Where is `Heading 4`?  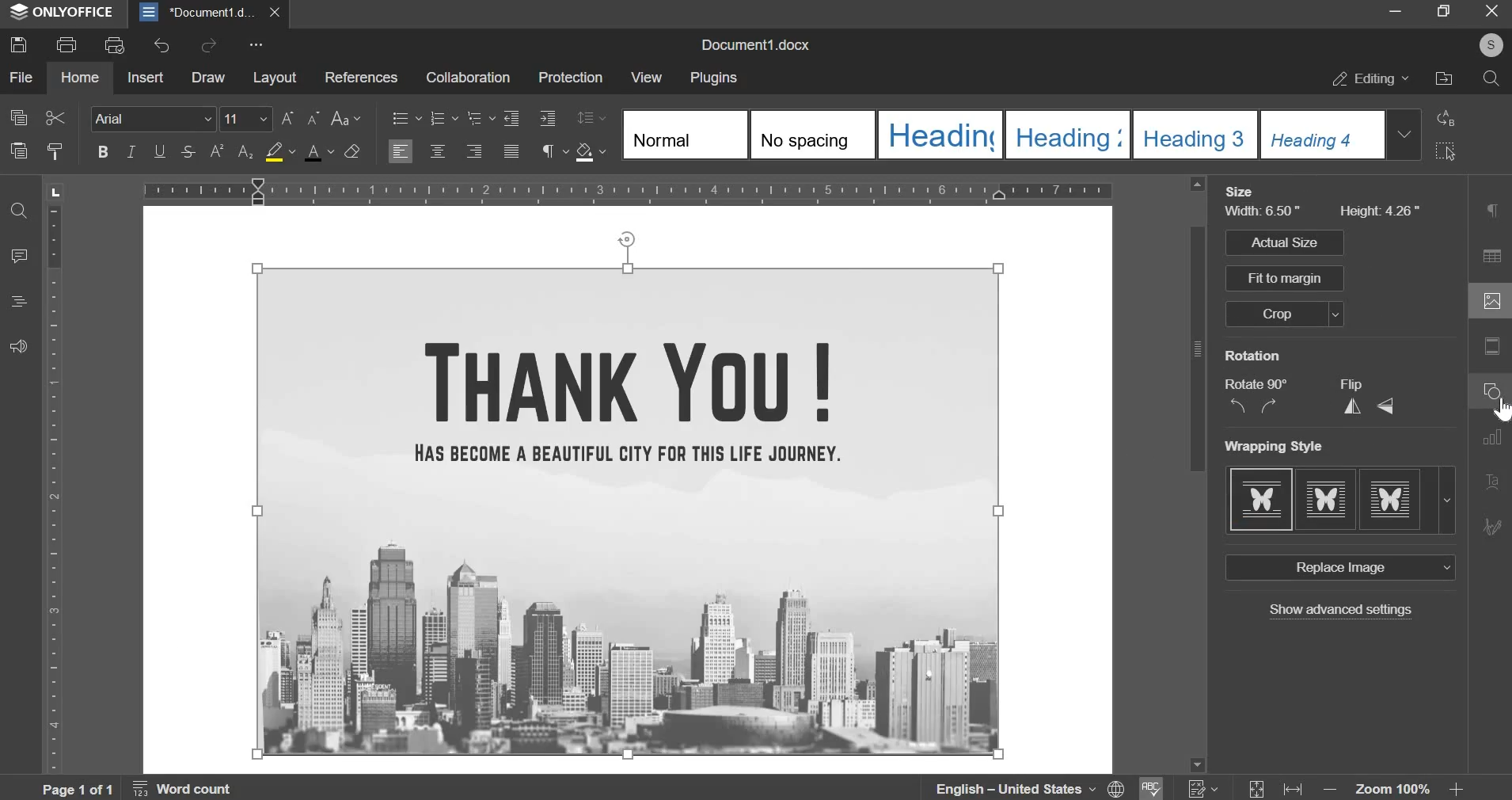 Heading 4 is located at coordinates (1320, 135).